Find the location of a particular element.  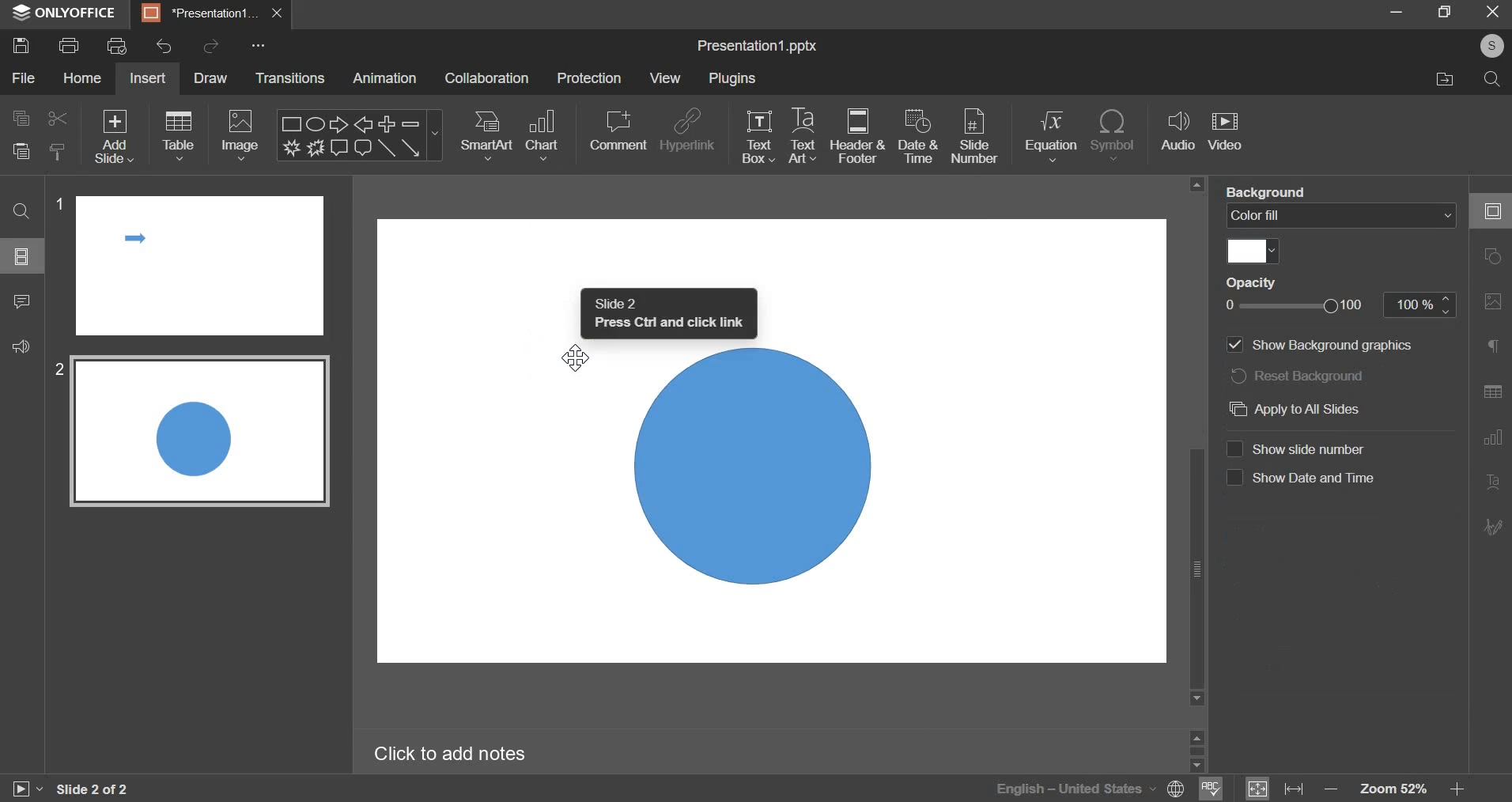

print preview is located at coordinates (117, 44).